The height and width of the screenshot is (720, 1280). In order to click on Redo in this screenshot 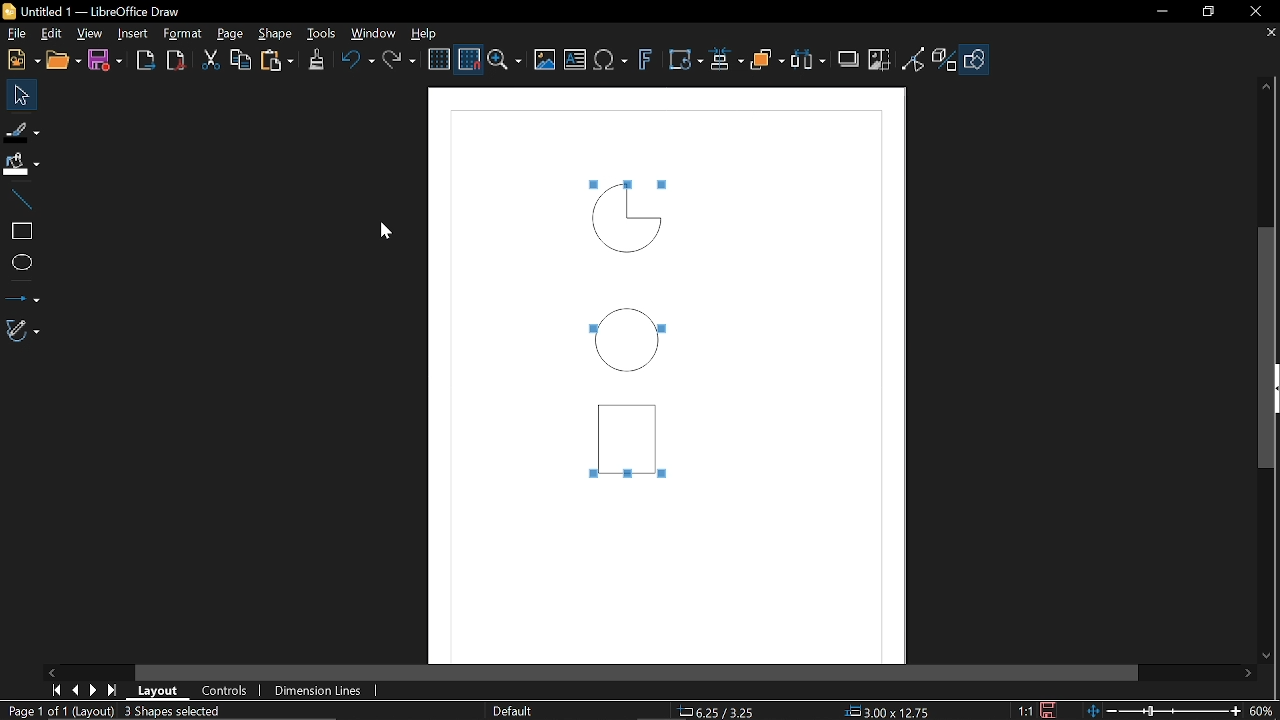, I will do `click(402, 61)`.